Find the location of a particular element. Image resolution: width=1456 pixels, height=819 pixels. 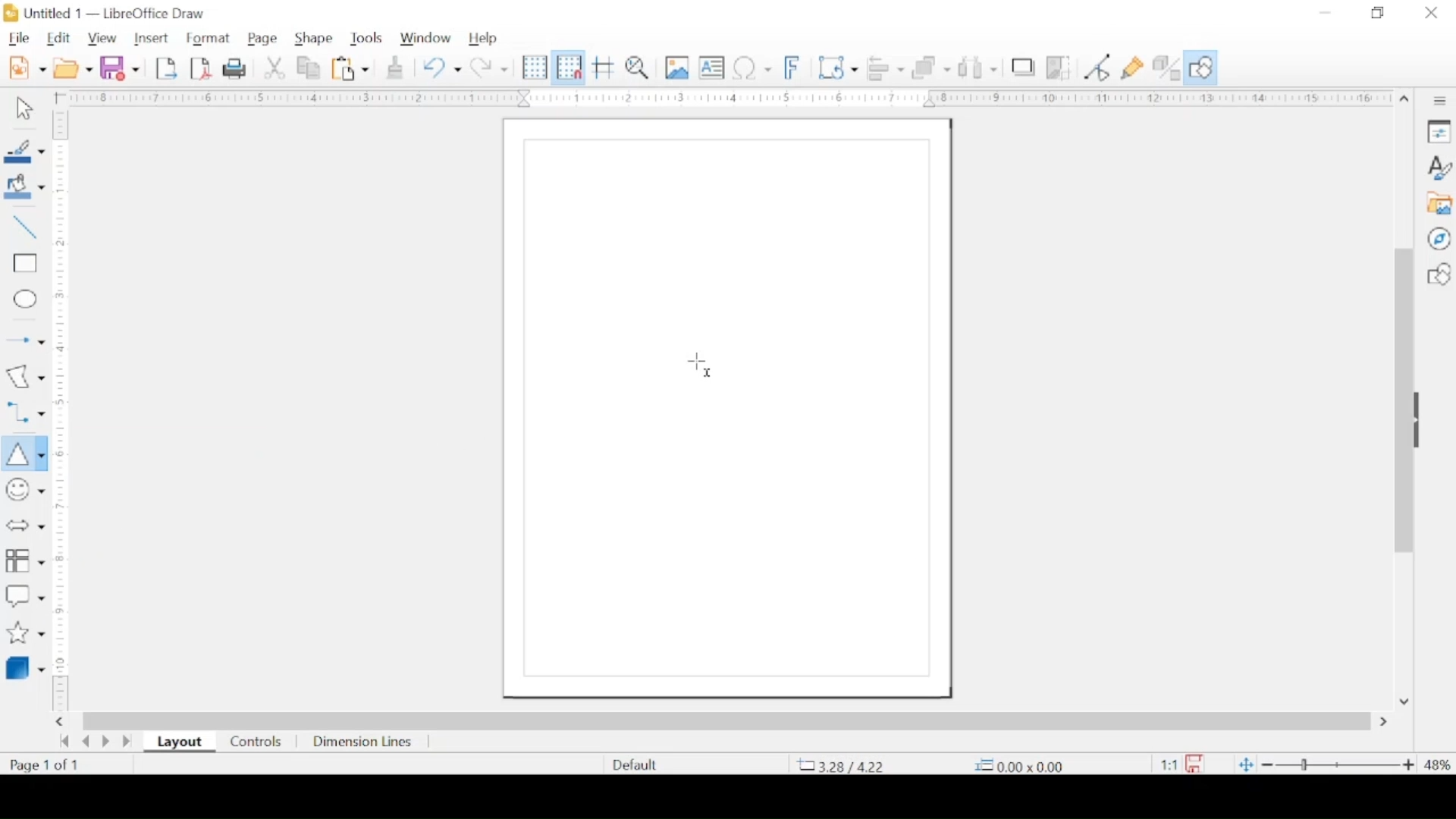

view is located at coordinates (104, 37).